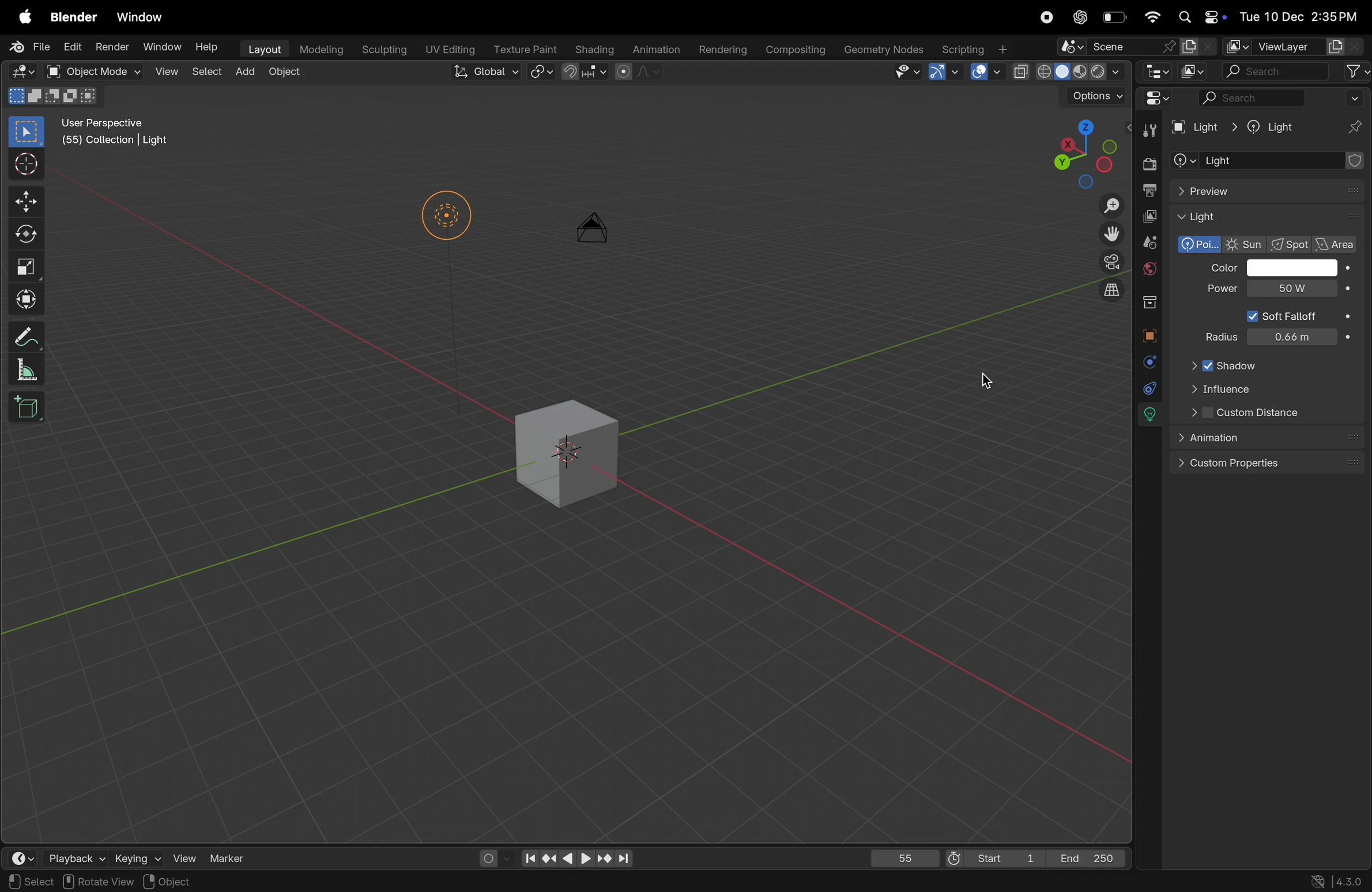  Describe the element at coordinates (77, 857) in the screenshot. I see `playback` at that location.